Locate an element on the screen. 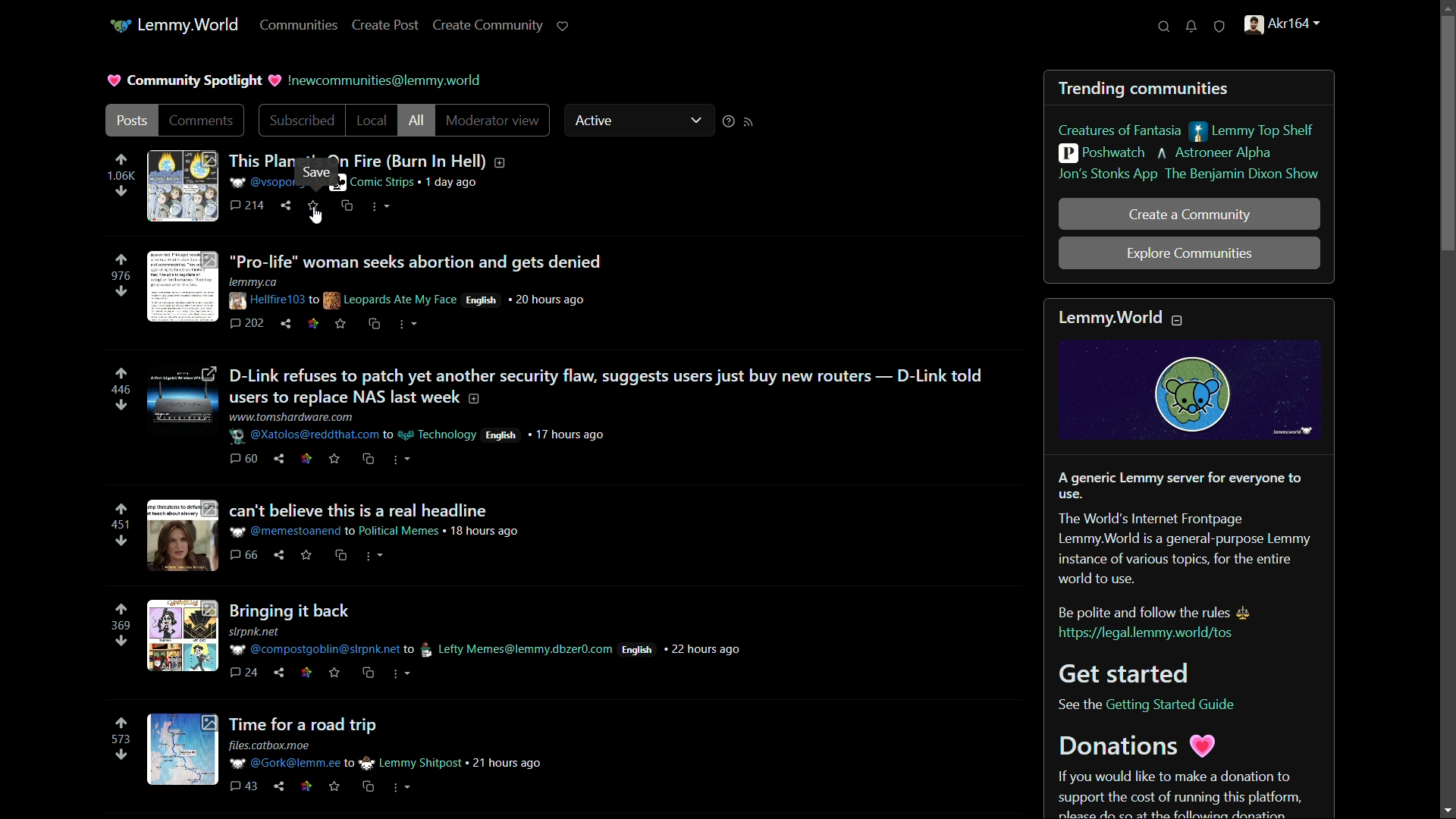 This screenshot has width=1456, height=819. number of votes is located at coordinates (121, 177).